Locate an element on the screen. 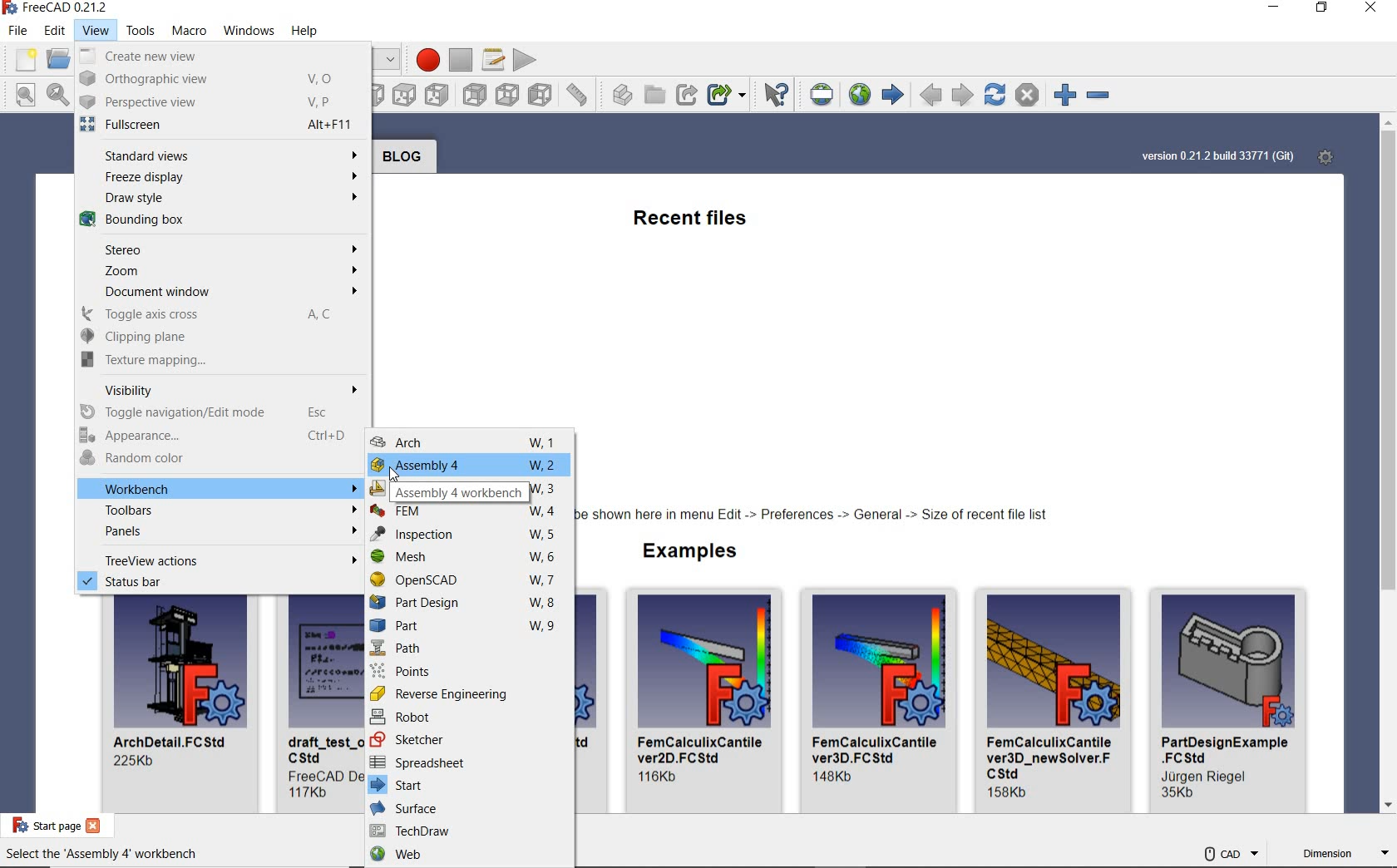  create new view is located at coordinates (221, 57).